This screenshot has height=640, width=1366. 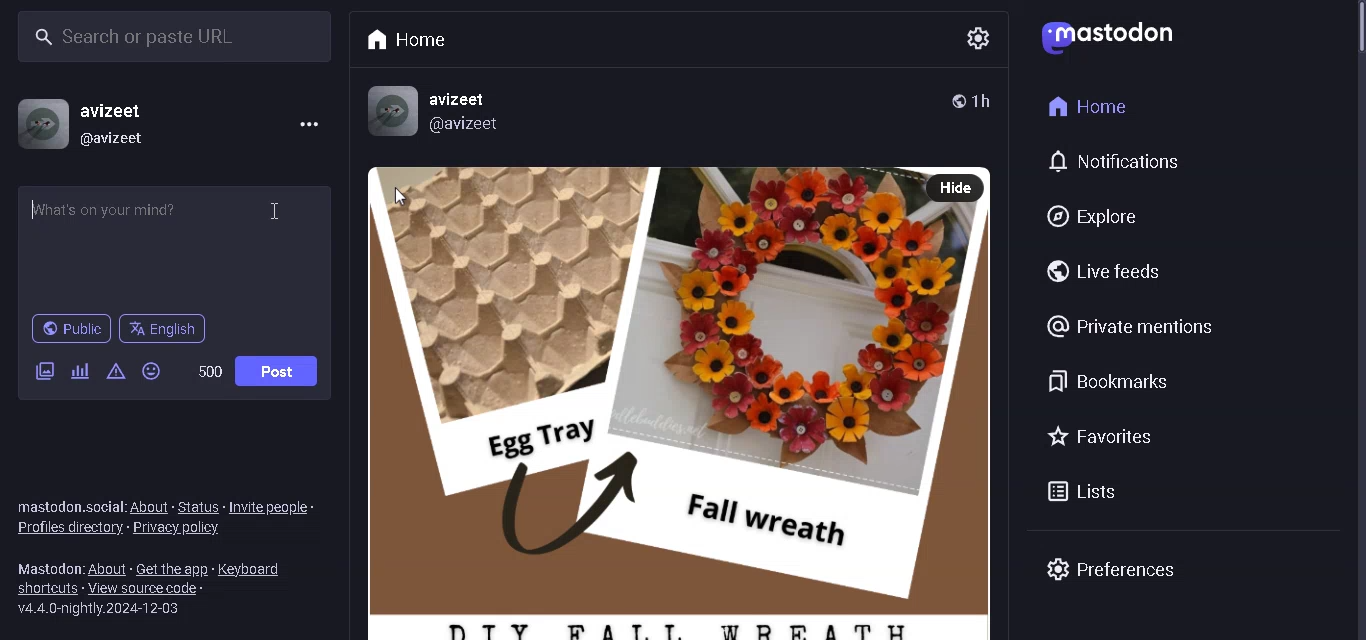 I want to click on INVITE PEOPLE, so click(x=272, y=507).